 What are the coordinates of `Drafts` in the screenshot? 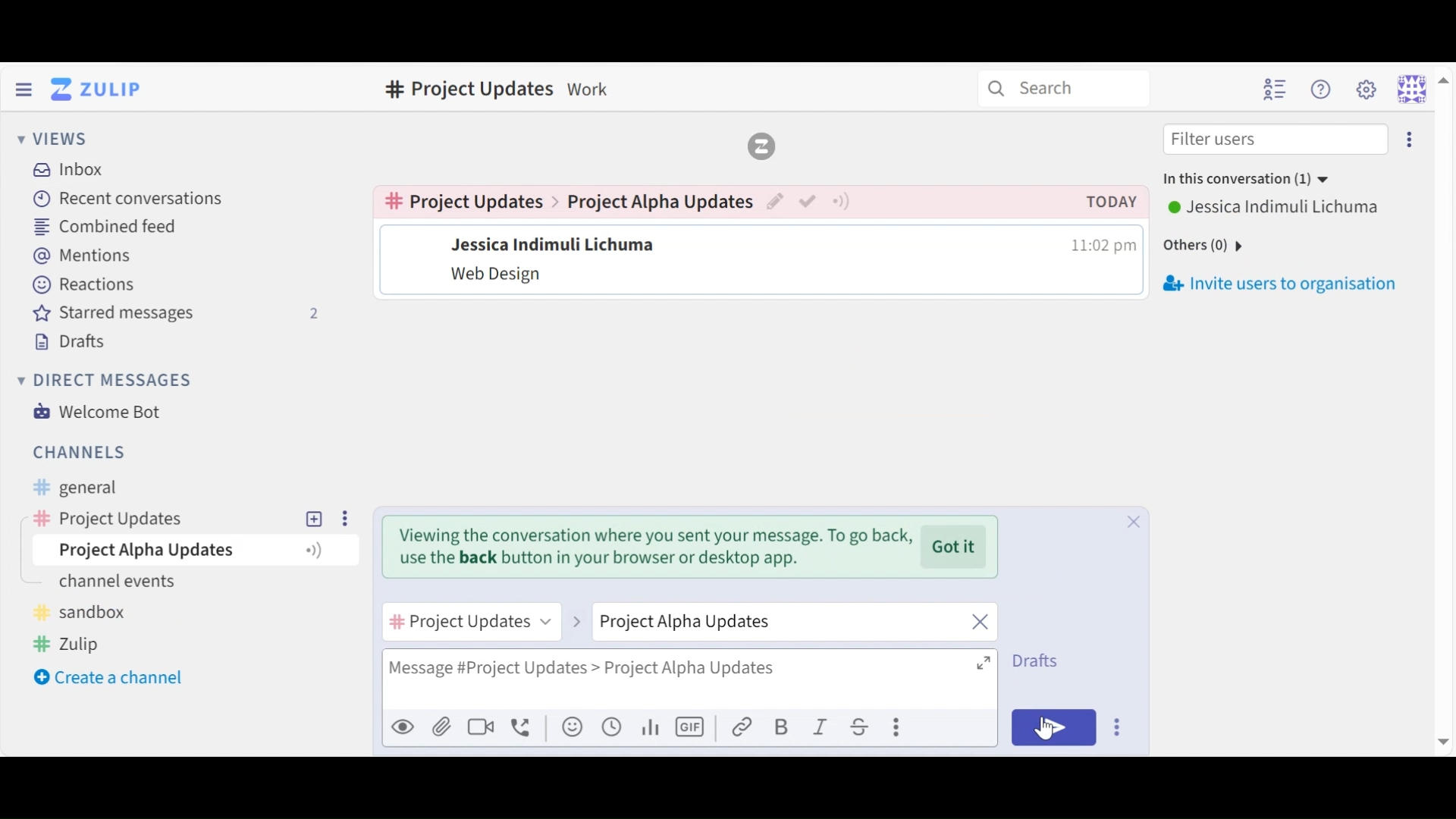 It's located at (77, 340).